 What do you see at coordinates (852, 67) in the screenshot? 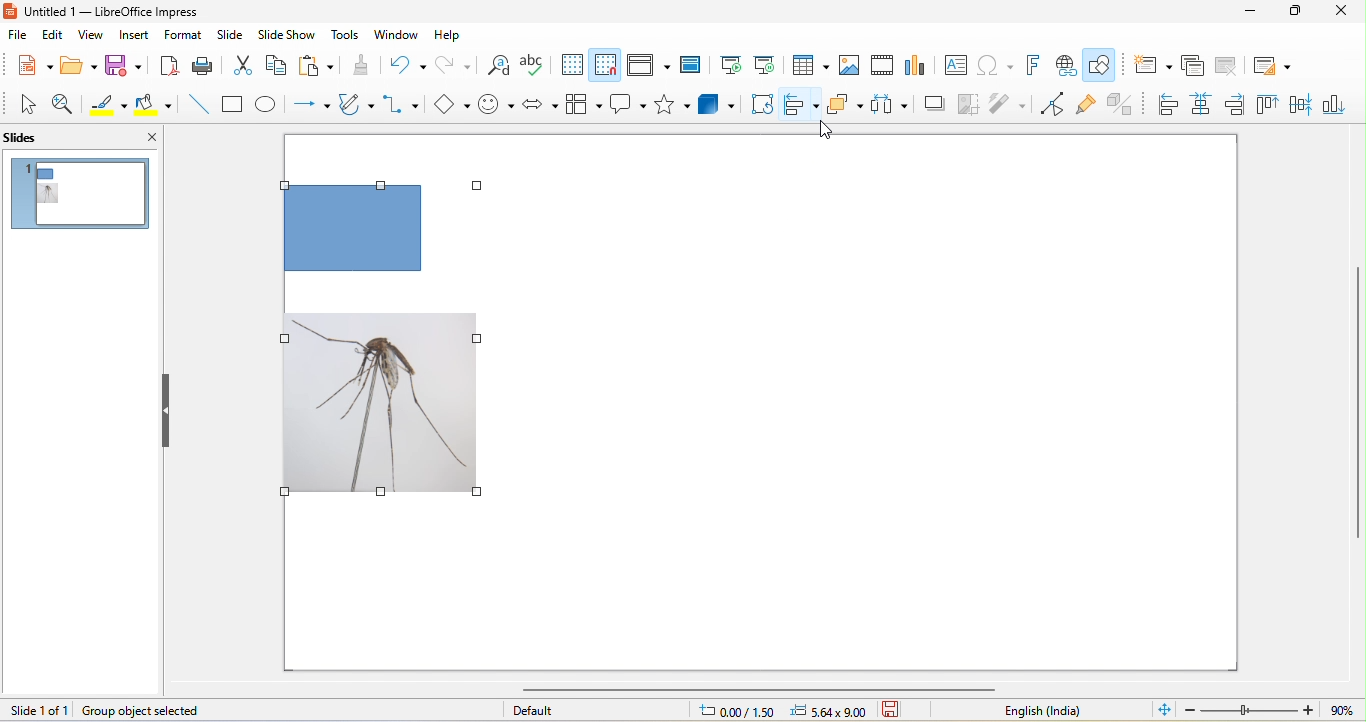
I see `image` at bounding box center [852, 67].